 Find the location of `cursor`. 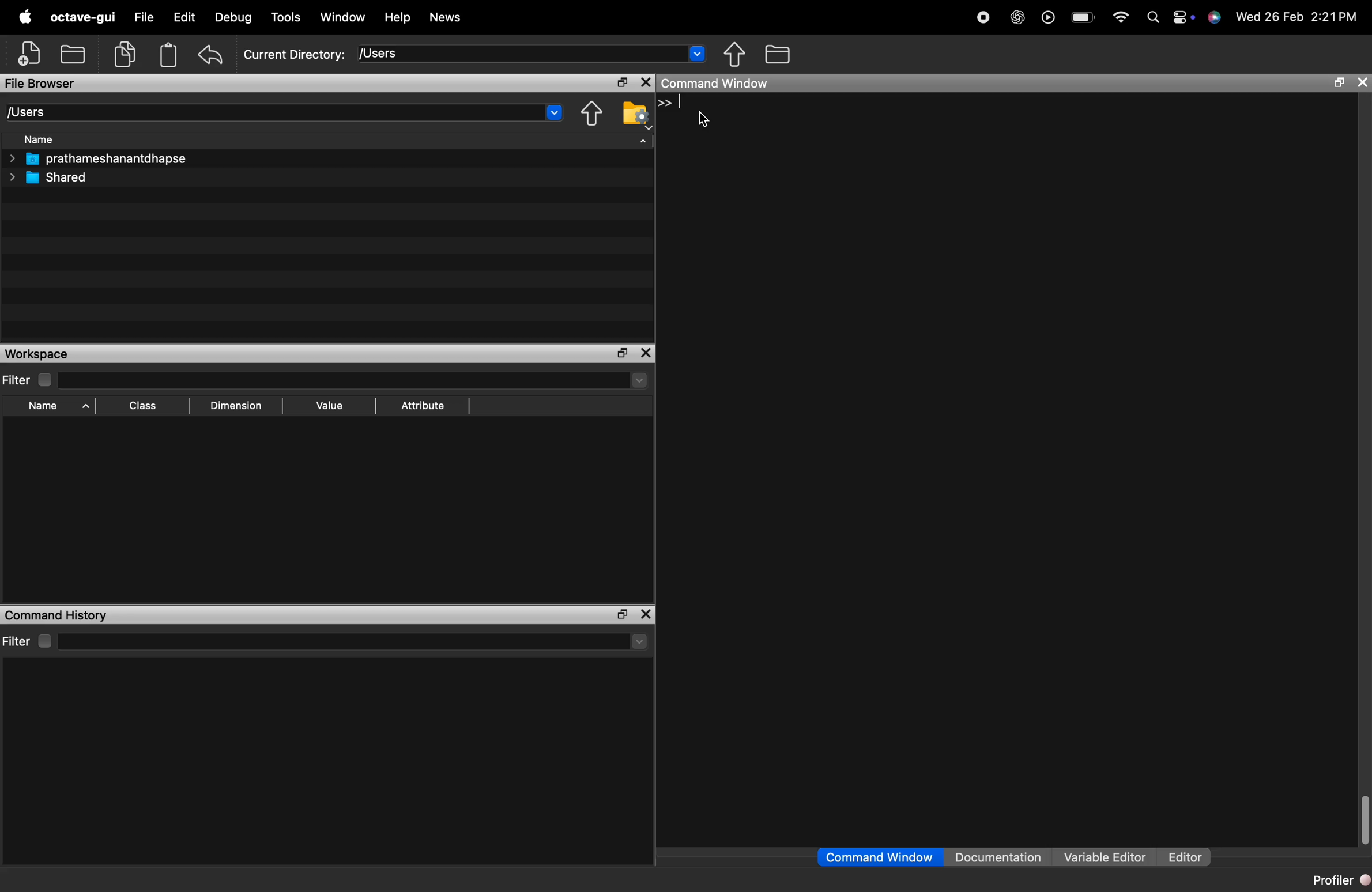

cursor is located at coordinates (704, 116).